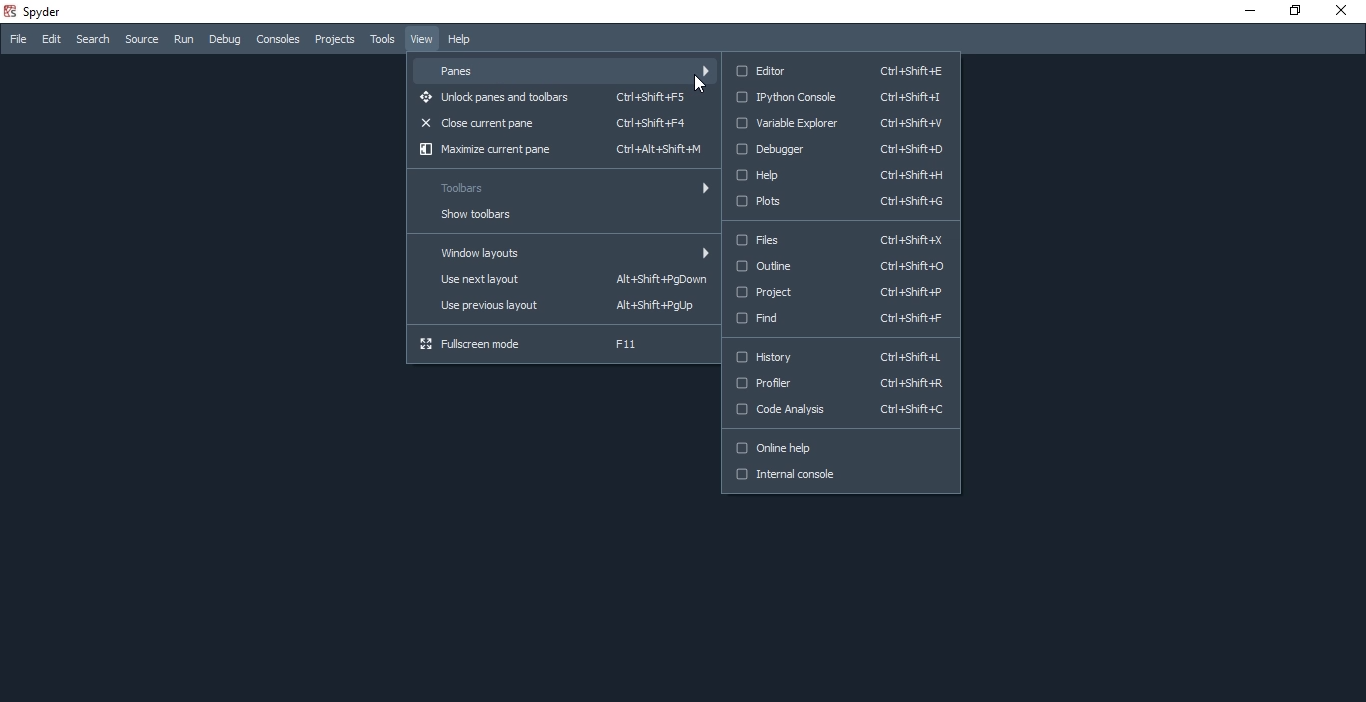 Image resolution: width=1366 pixels, height=702 pixels. What do you see at coordinates (420, 38) in the screenshot?
I see `View` at bounding box center [420, 38].